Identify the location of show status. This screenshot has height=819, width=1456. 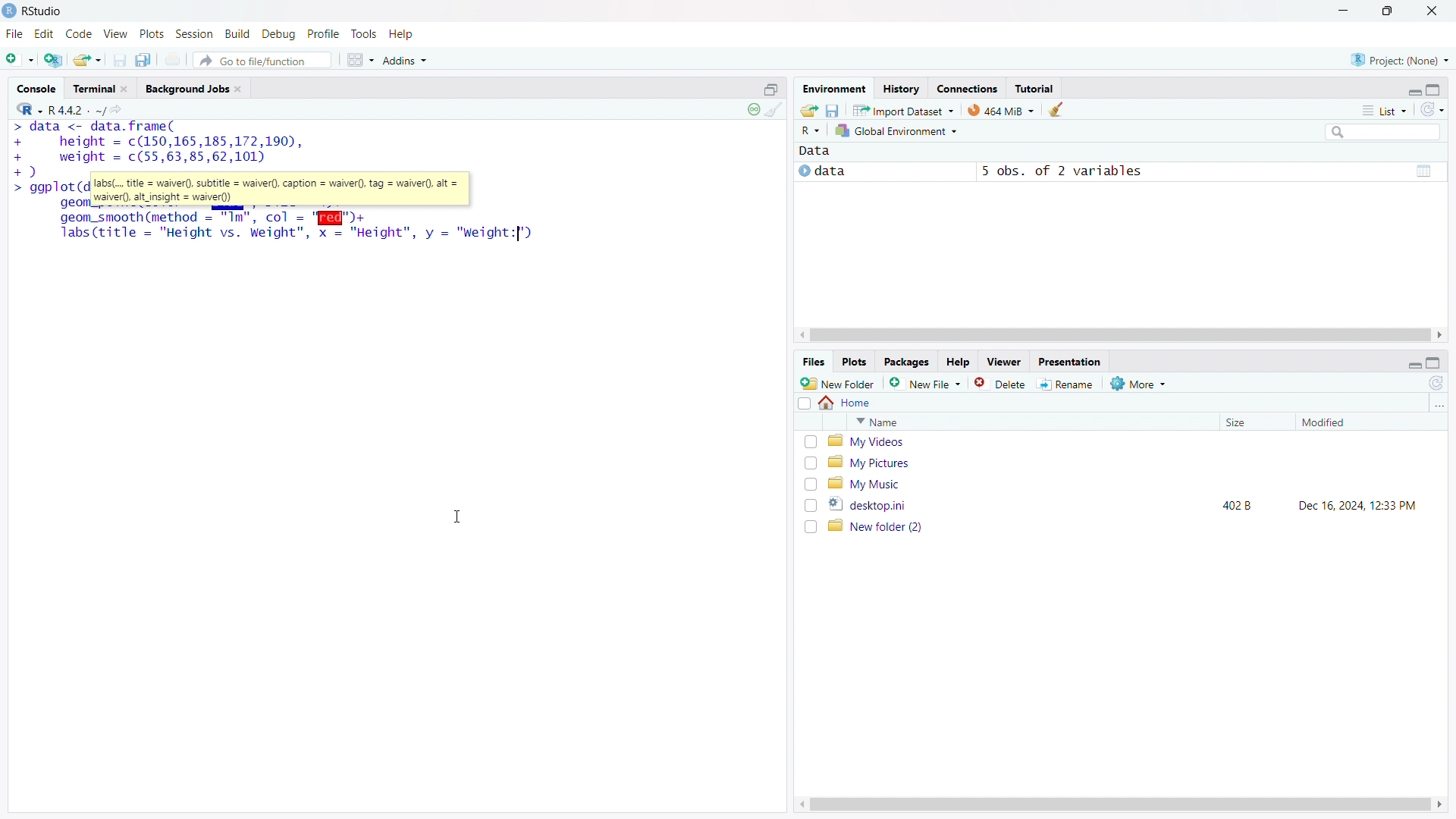
(753, 109).